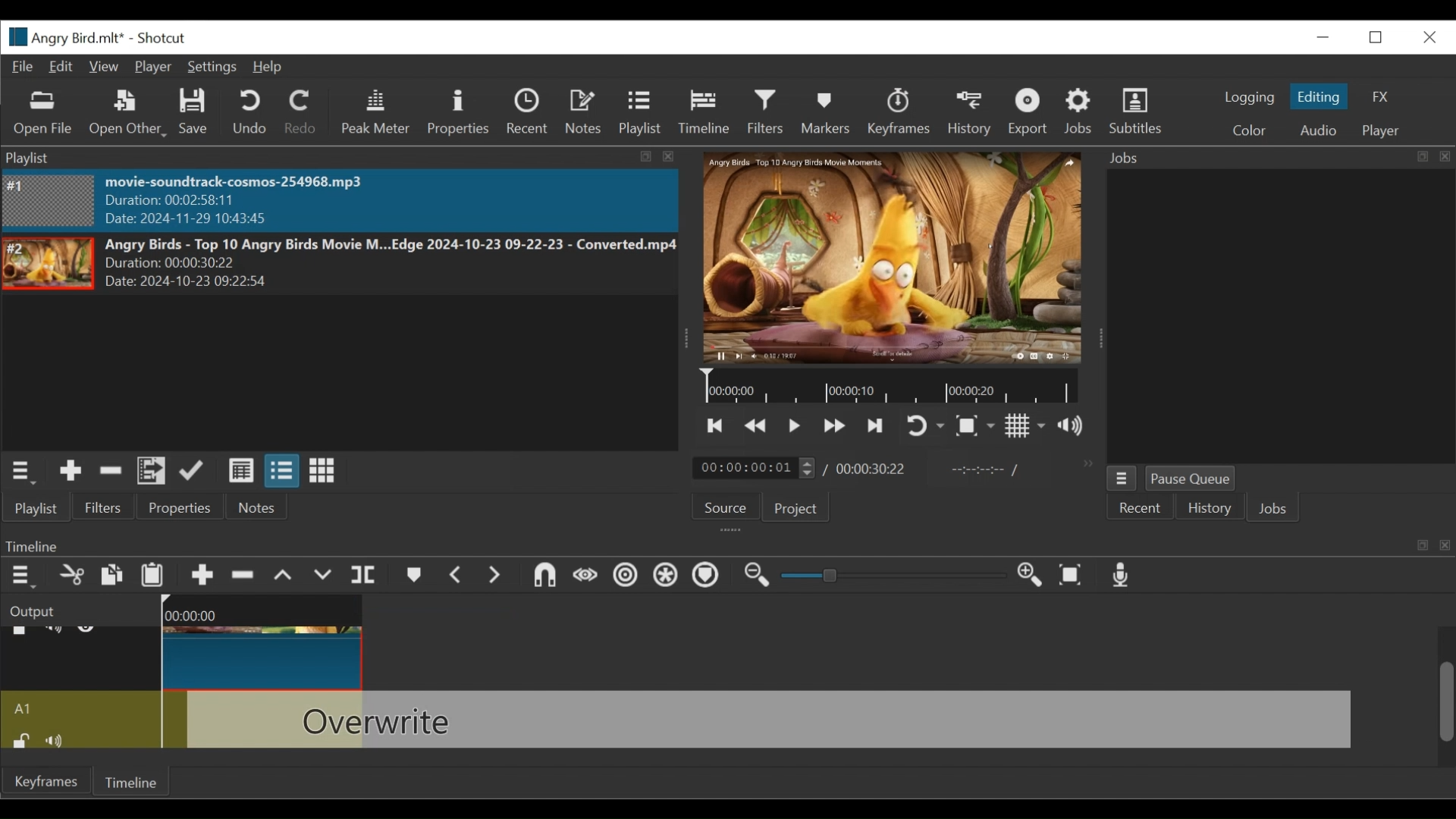 This screenshot has height=819, width=1456. What do you see at coordinates (240, 472) in the screenshot?
I see `View as details` at bounding box center [240, 472].